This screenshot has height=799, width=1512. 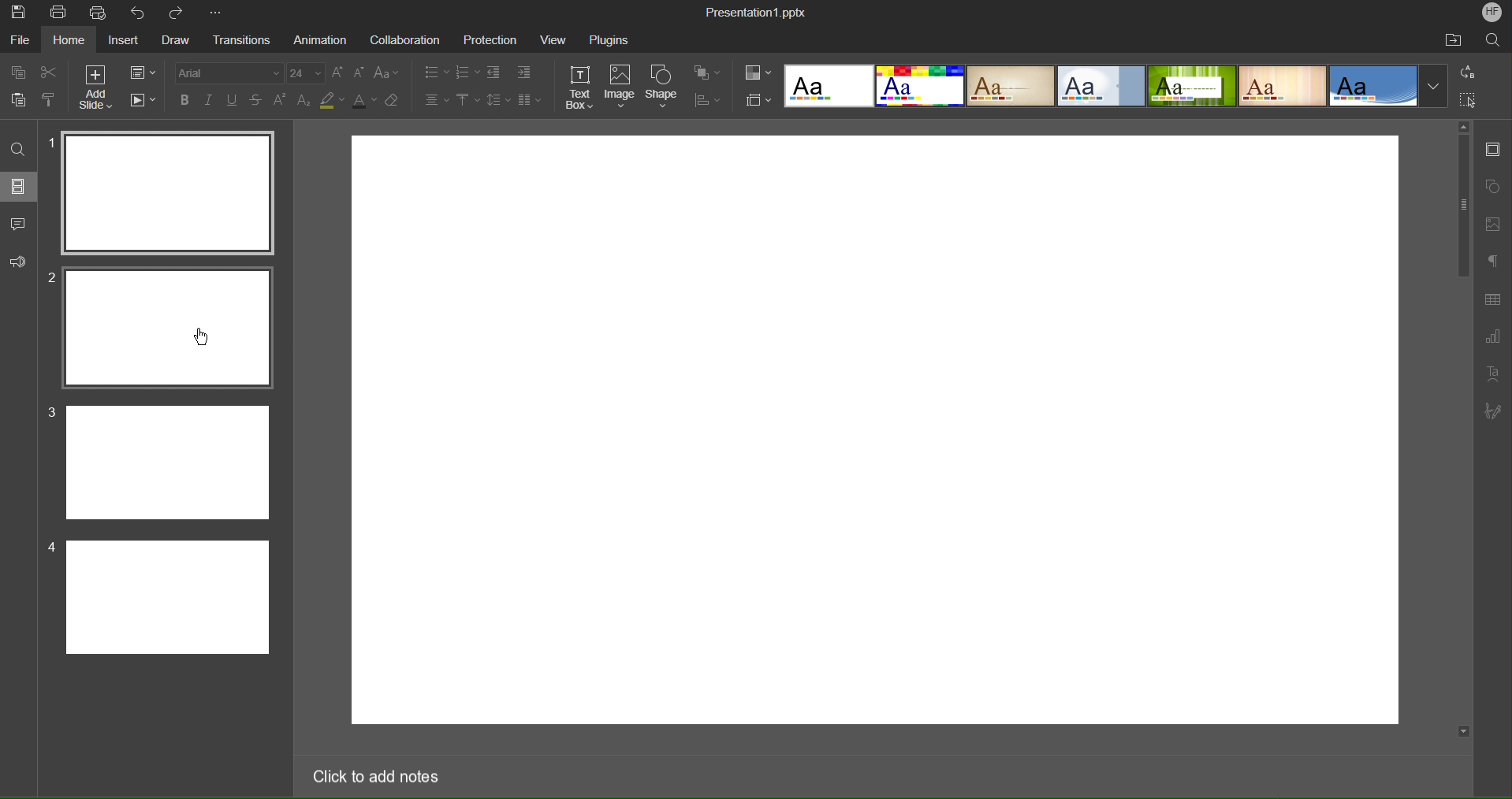 What do you see at coordinates (608, 39) in the screenshot?
I see `Plugins` at bounding box center [608, 39].